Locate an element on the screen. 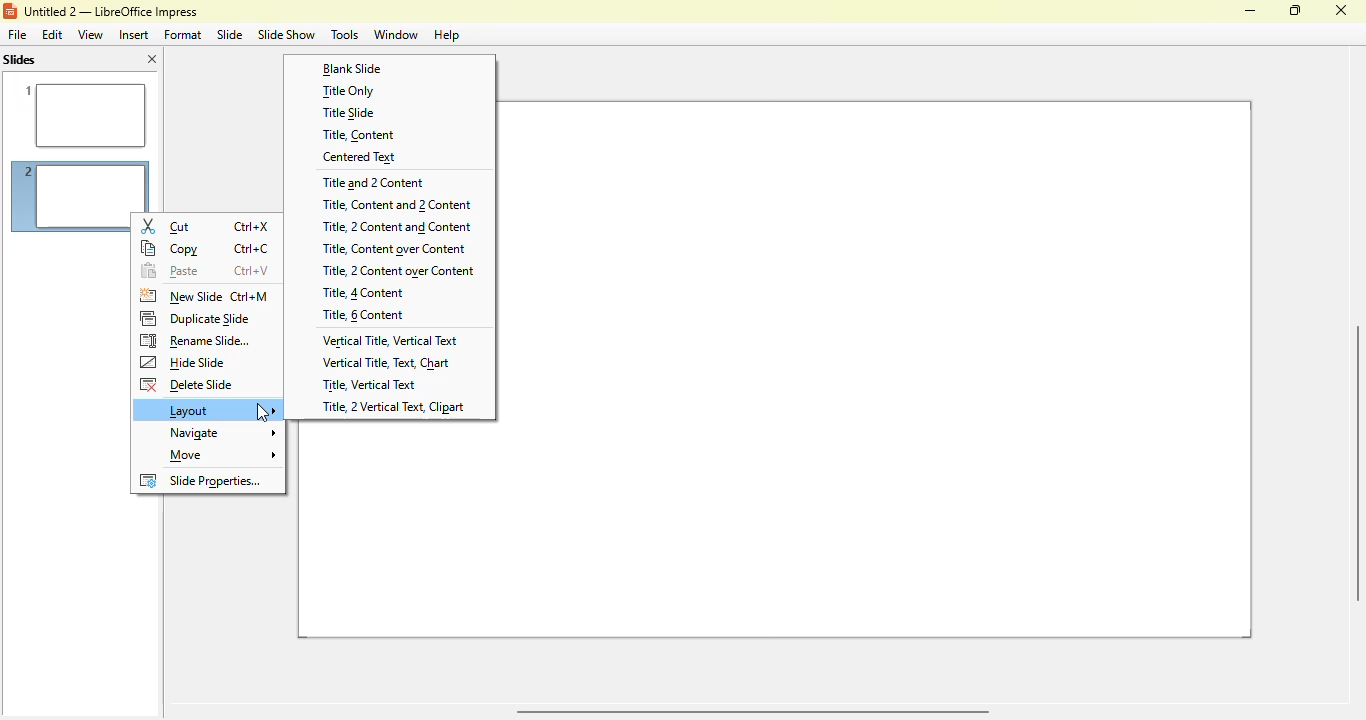  slide 2 is located at coordinates (877, 371).